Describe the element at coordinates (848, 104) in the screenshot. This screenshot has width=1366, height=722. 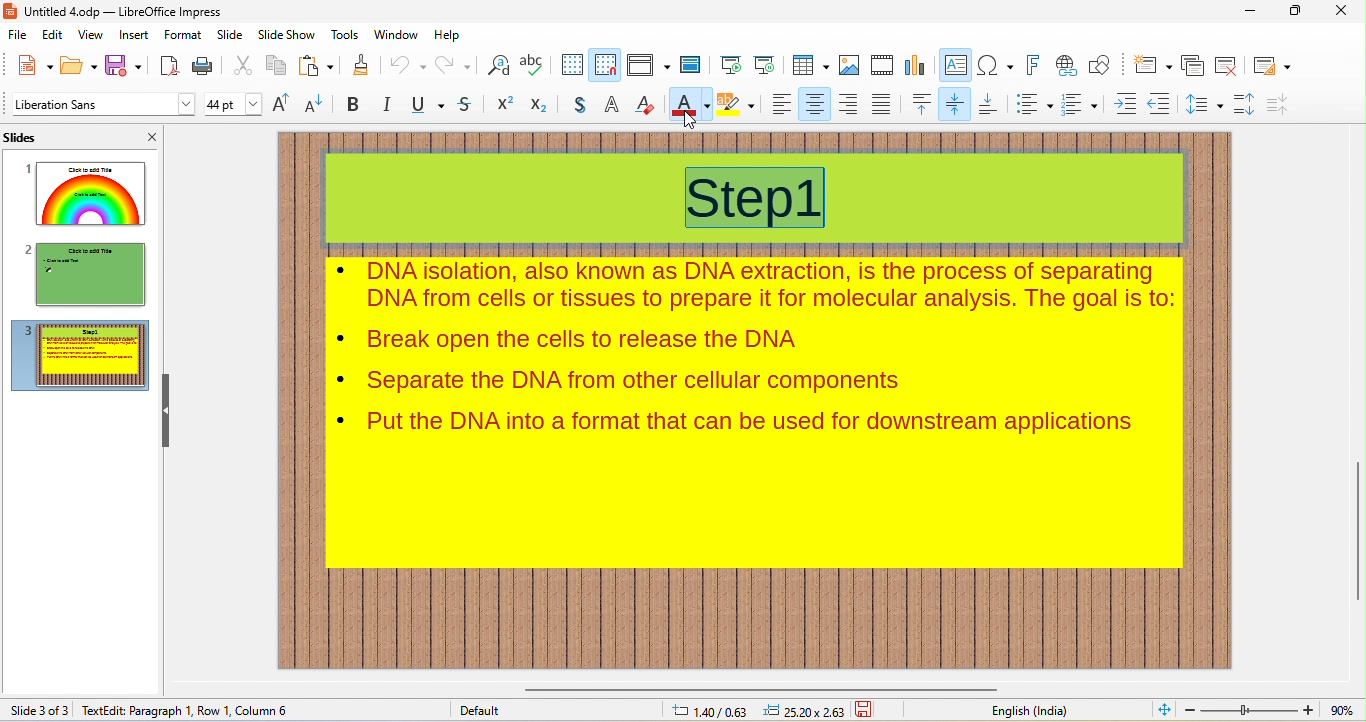
I see `align right` at that location.